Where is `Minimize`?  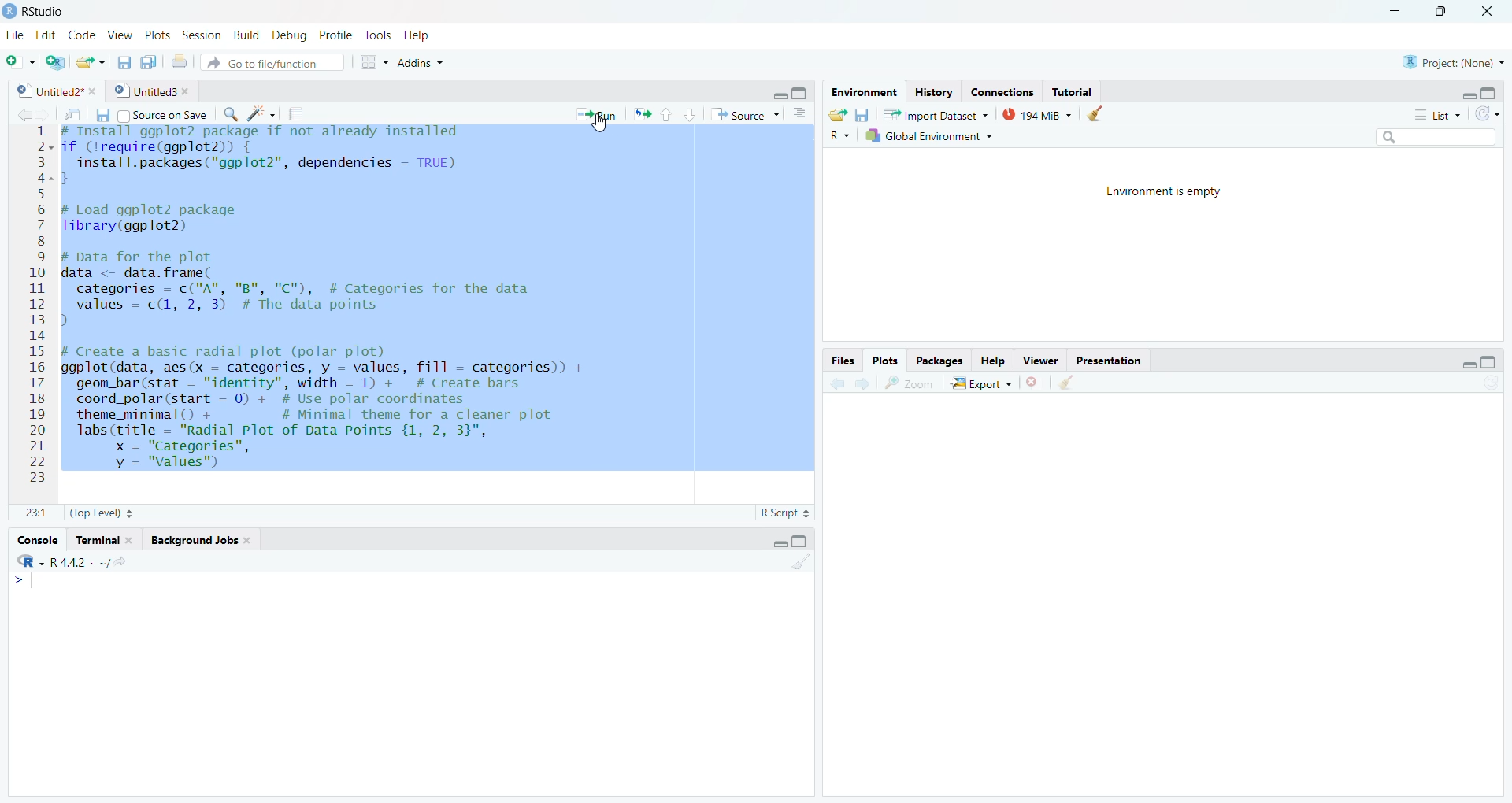
Minimize is located at coordinates (776, 543).